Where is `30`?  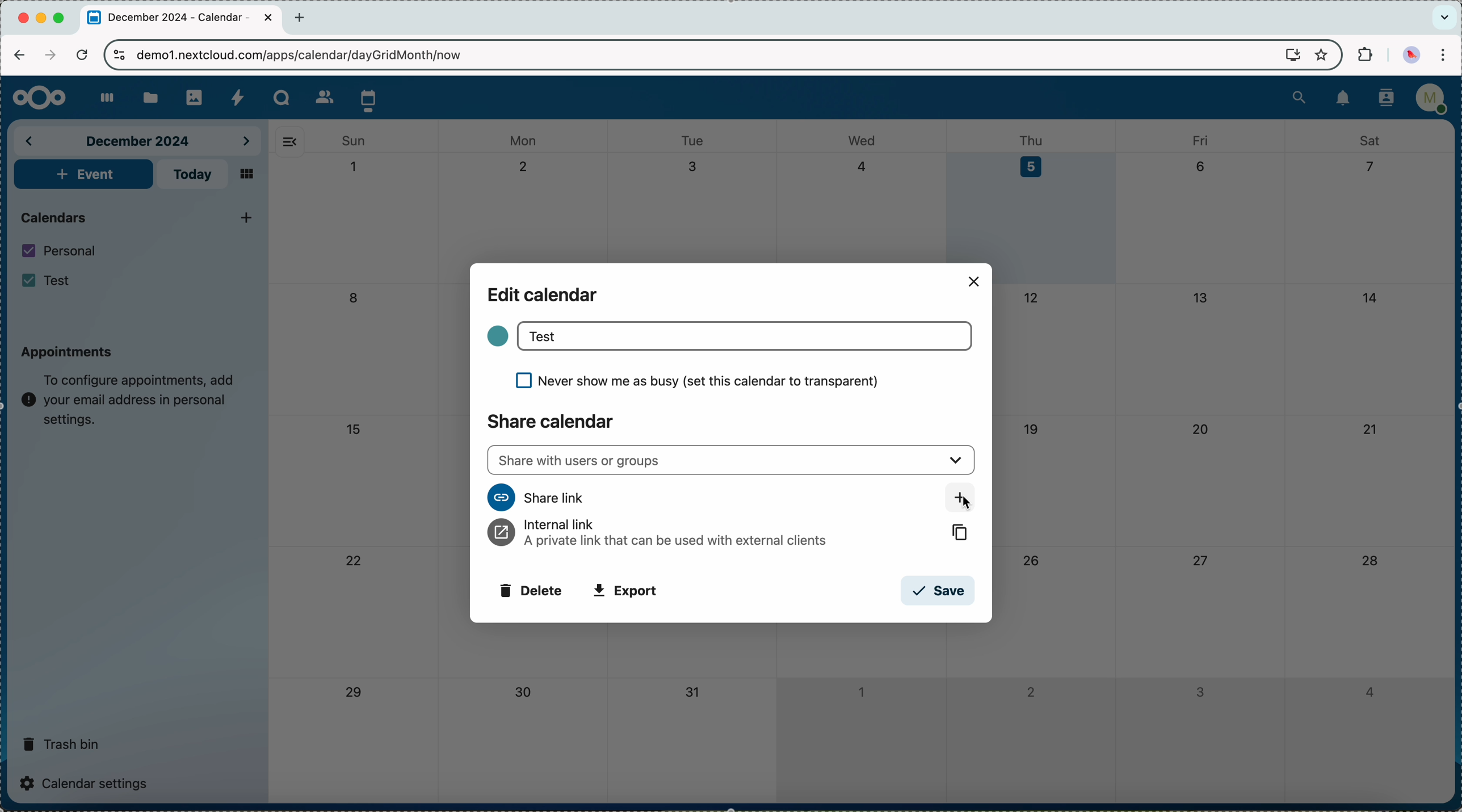
30 is located at coordinates (527, 694).